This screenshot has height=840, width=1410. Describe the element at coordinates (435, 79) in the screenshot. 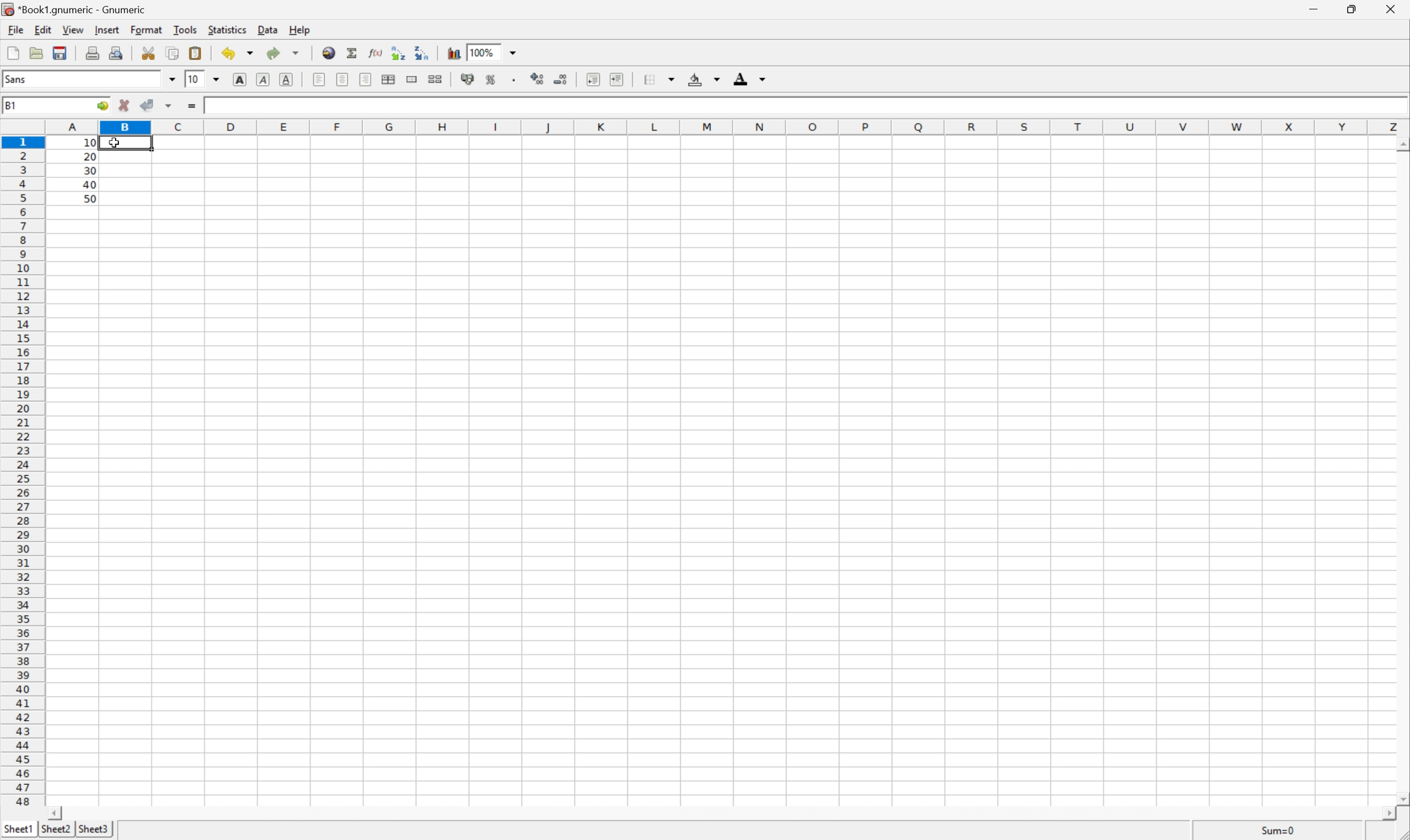

I see `Split the ranges of merged cells` at that location.